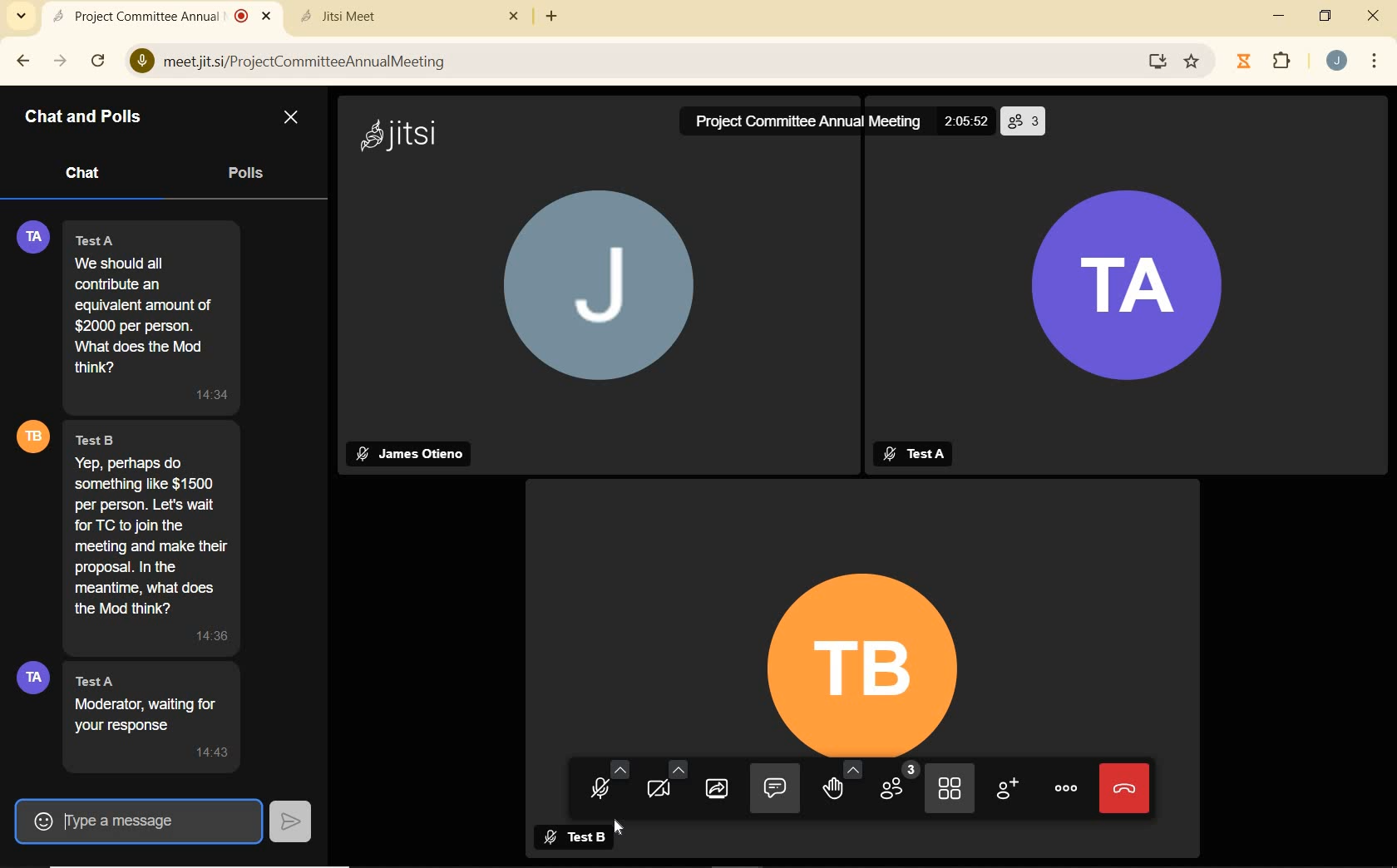 Image resolution: width=1397 pixels, height=868 pixels. Describe the element at coordinates (148, 16) in the screenshot. I see `current open tab` at that location.